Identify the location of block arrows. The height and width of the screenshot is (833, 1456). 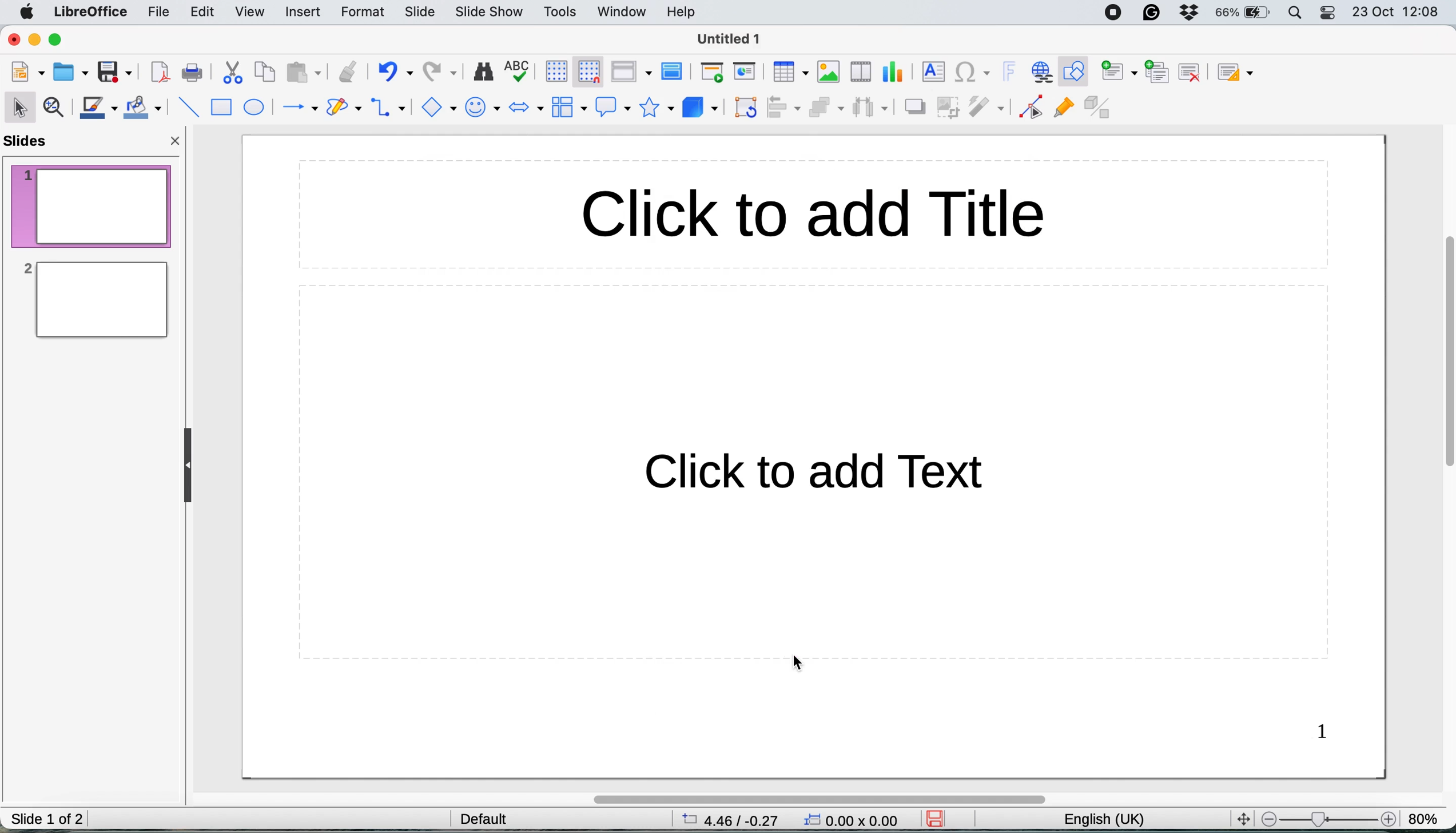
(526, 109).